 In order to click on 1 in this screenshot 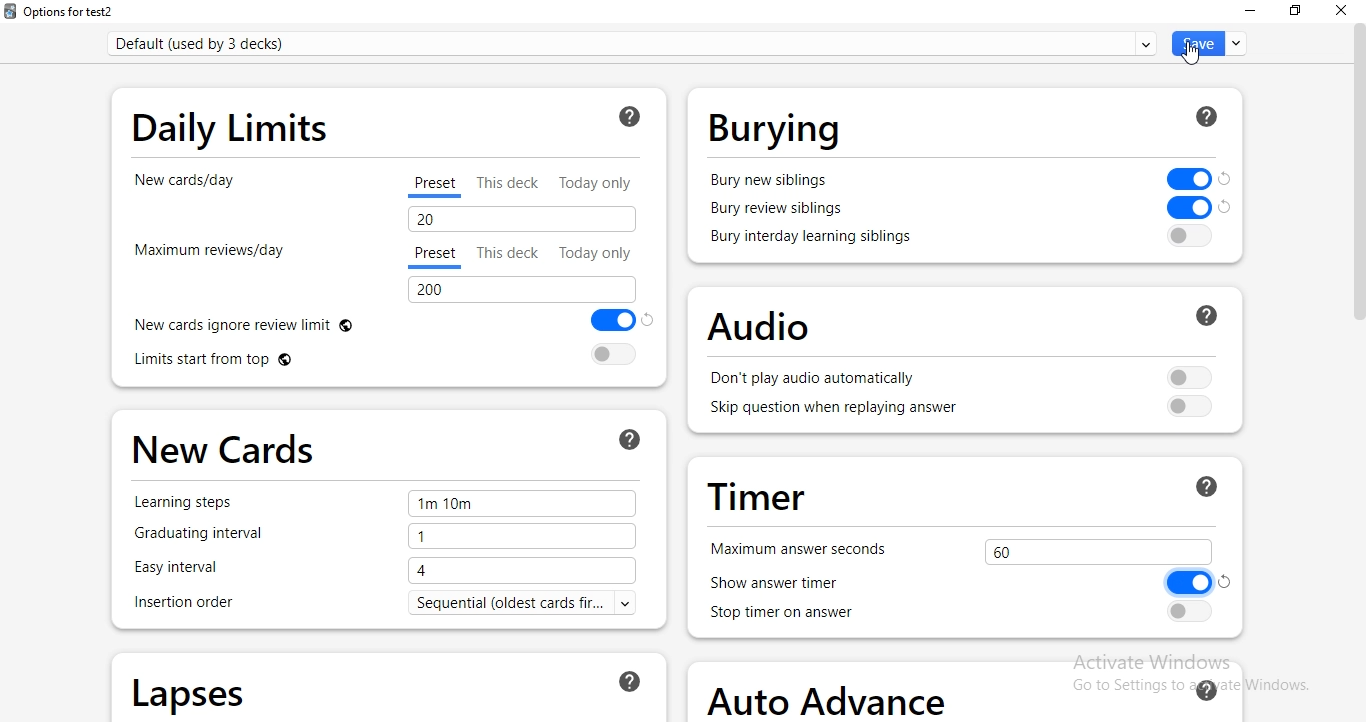, I will do `click(524, 536)`.